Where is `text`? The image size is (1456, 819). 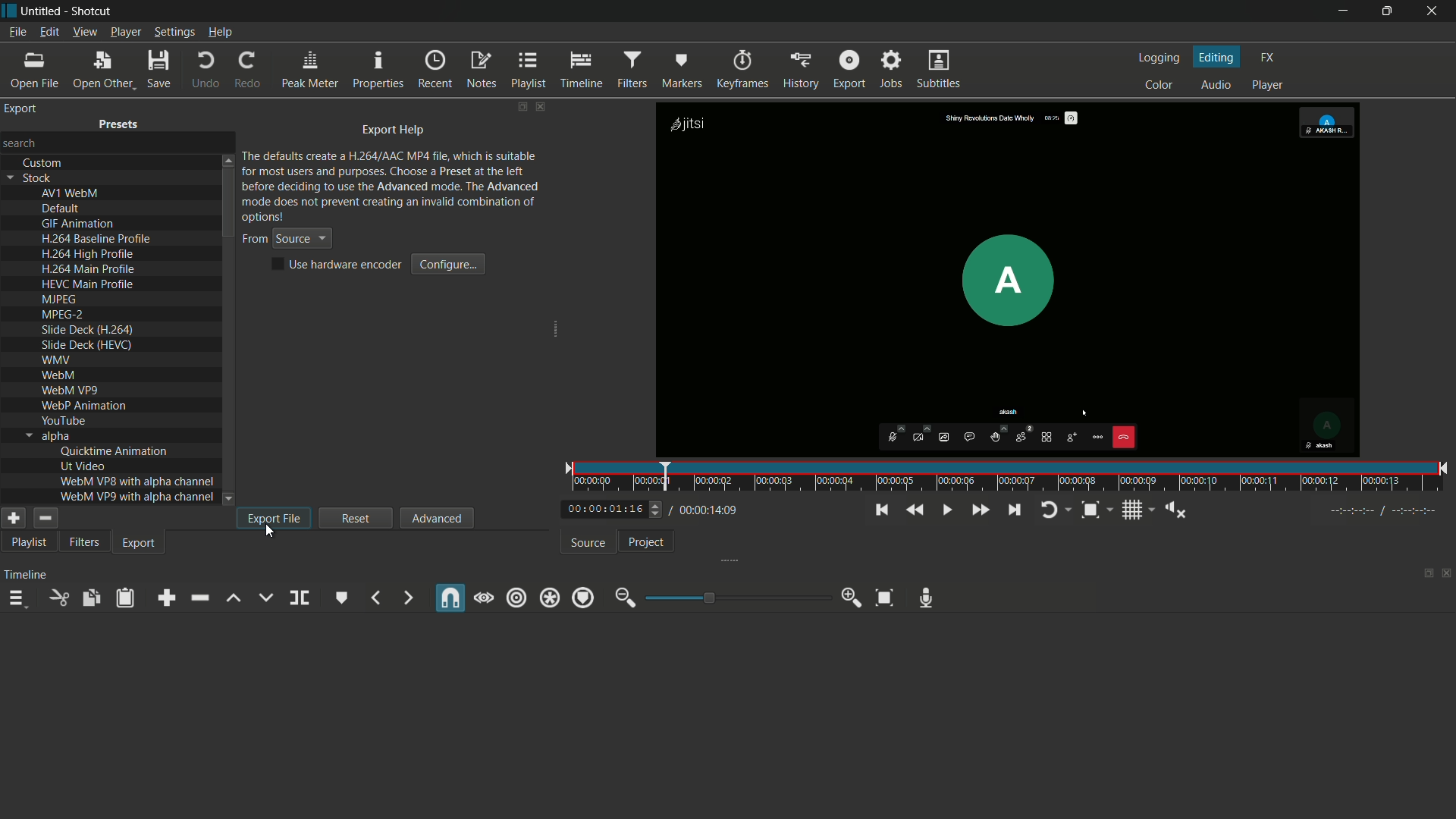
text is located at coordinates (89, 254).